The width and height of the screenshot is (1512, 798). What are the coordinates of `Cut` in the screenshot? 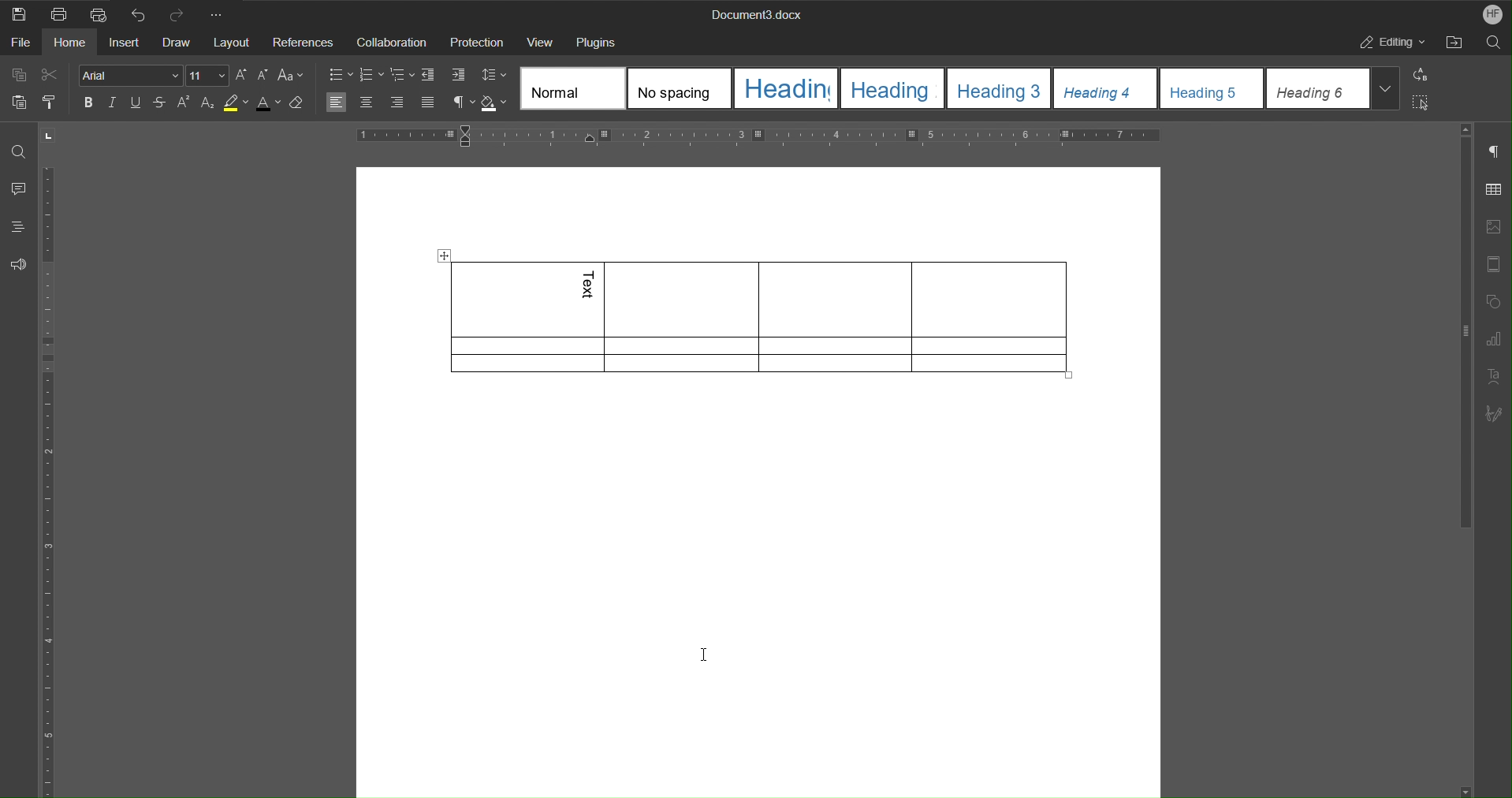 It's located at (49, 75).